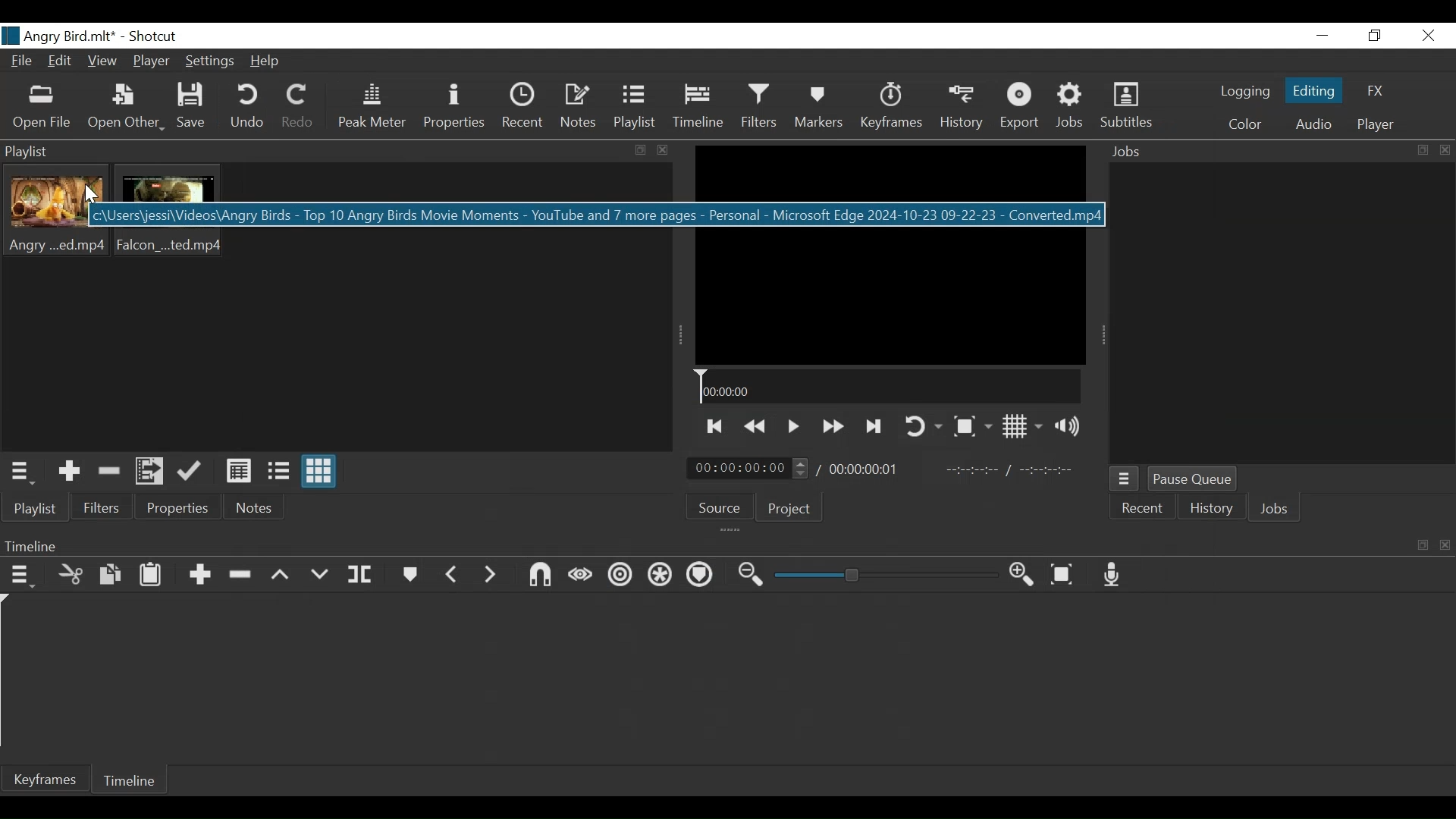 The height and width of the screenshot is (819, 1456). What do you see at coordinates (718, 506) in the screenshot?
I see `Source` at bounding box center [718, 506].